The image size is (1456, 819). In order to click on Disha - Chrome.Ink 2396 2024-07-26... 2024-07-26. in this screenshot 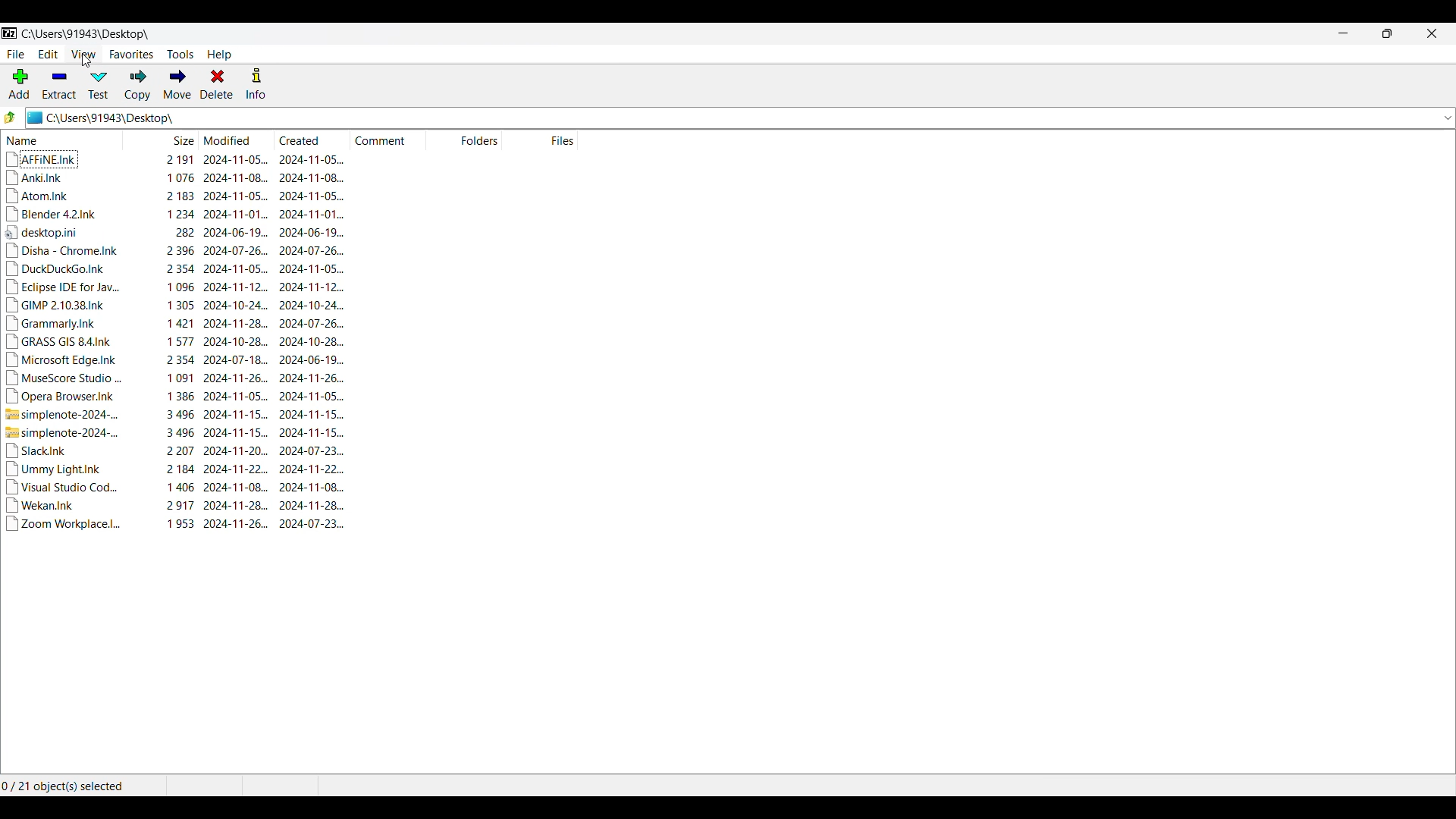, I will do `click(176, 250)`.